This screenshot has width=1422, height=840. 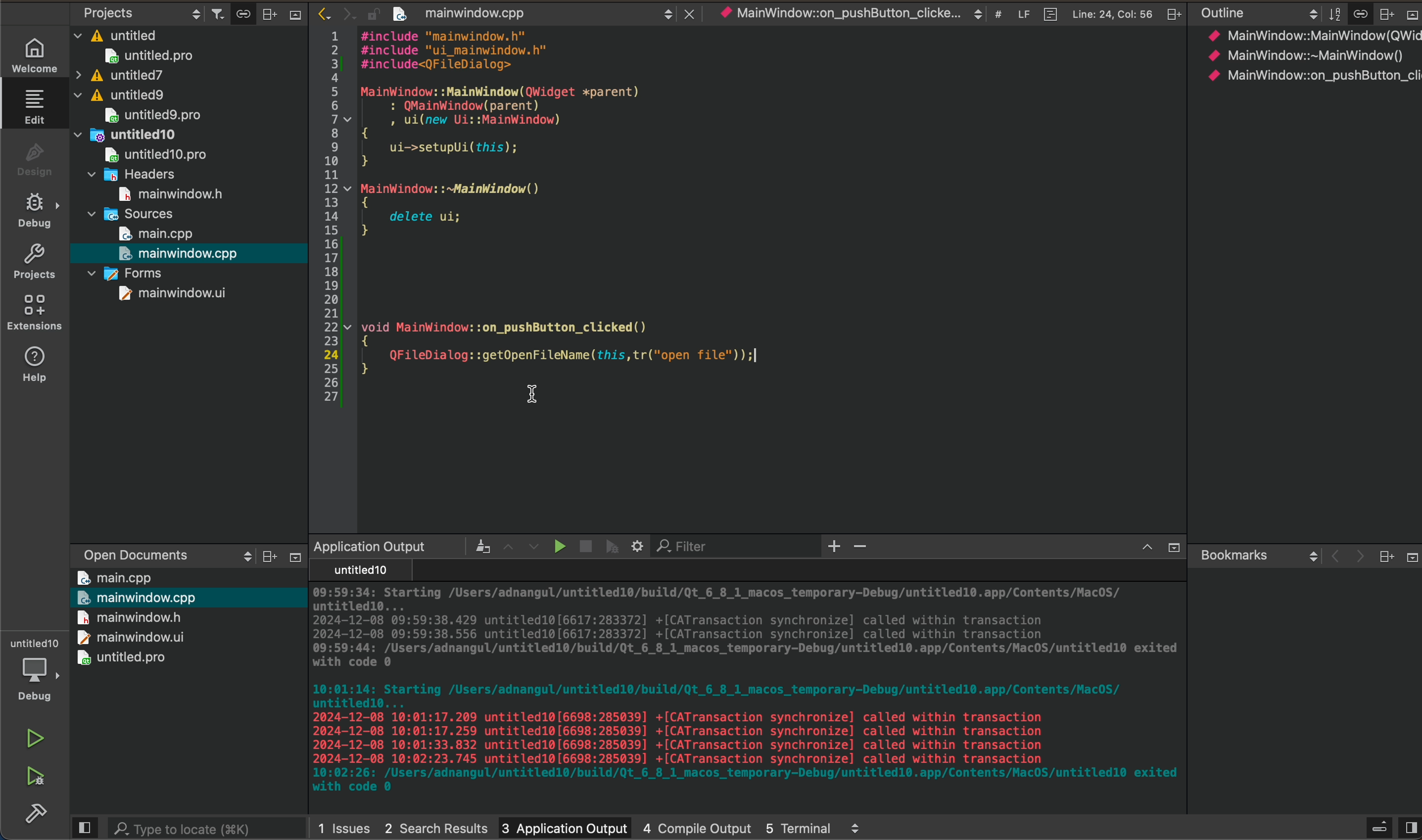 I want to click on LF, so click(x=1020, y=12).